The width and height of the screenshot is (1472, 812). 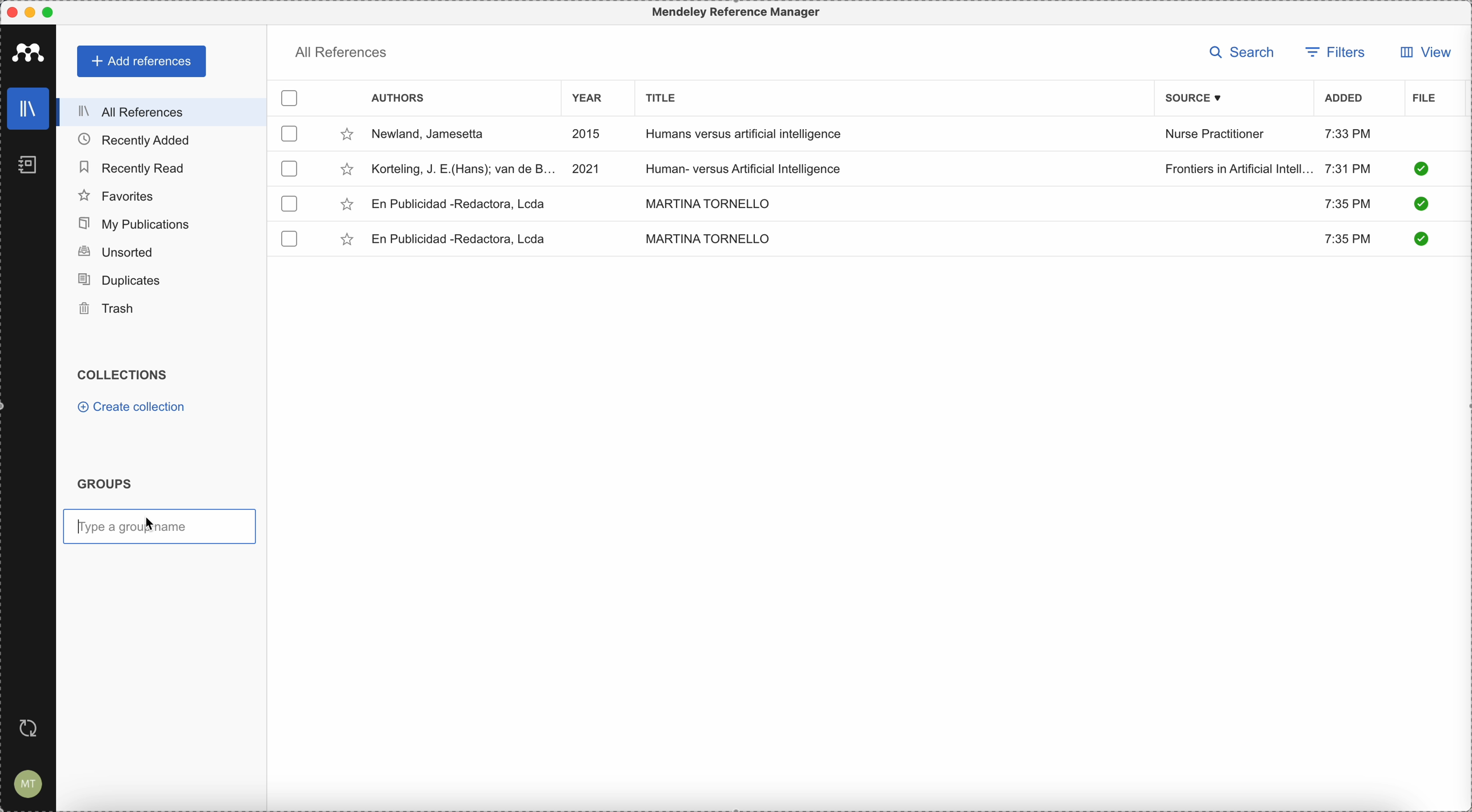 What do you see at coordinates (1421, 169) in the screenshot?
I see `check it` at bounding box center [1421, 169].